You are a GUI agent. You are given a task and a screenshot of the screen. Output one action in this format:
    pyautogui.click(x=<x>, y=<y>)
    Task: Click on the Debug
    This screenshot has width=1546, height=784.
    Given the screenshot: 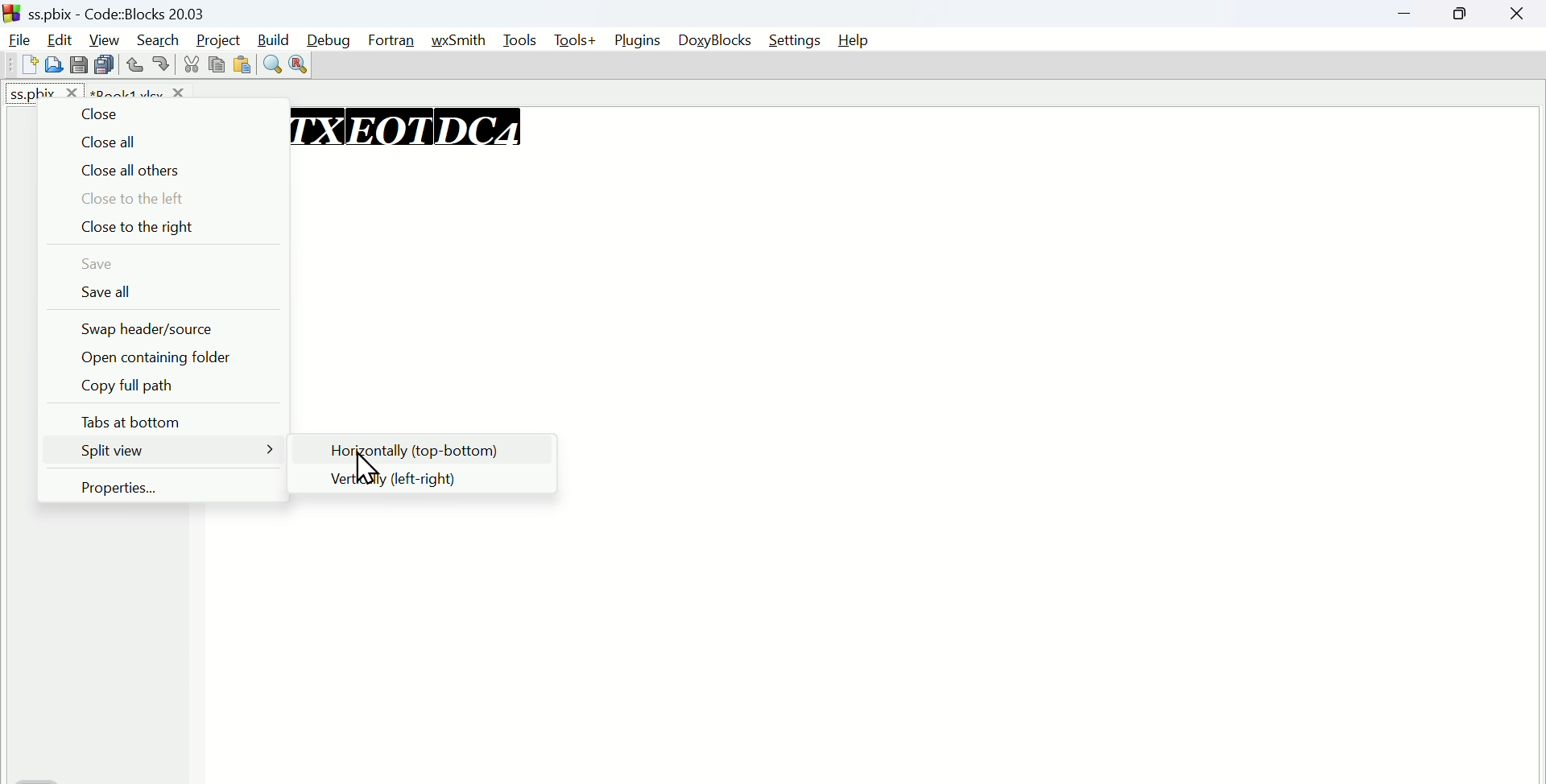 What is the action you would take?
    pyautogui.click(x=333, y=37)
    